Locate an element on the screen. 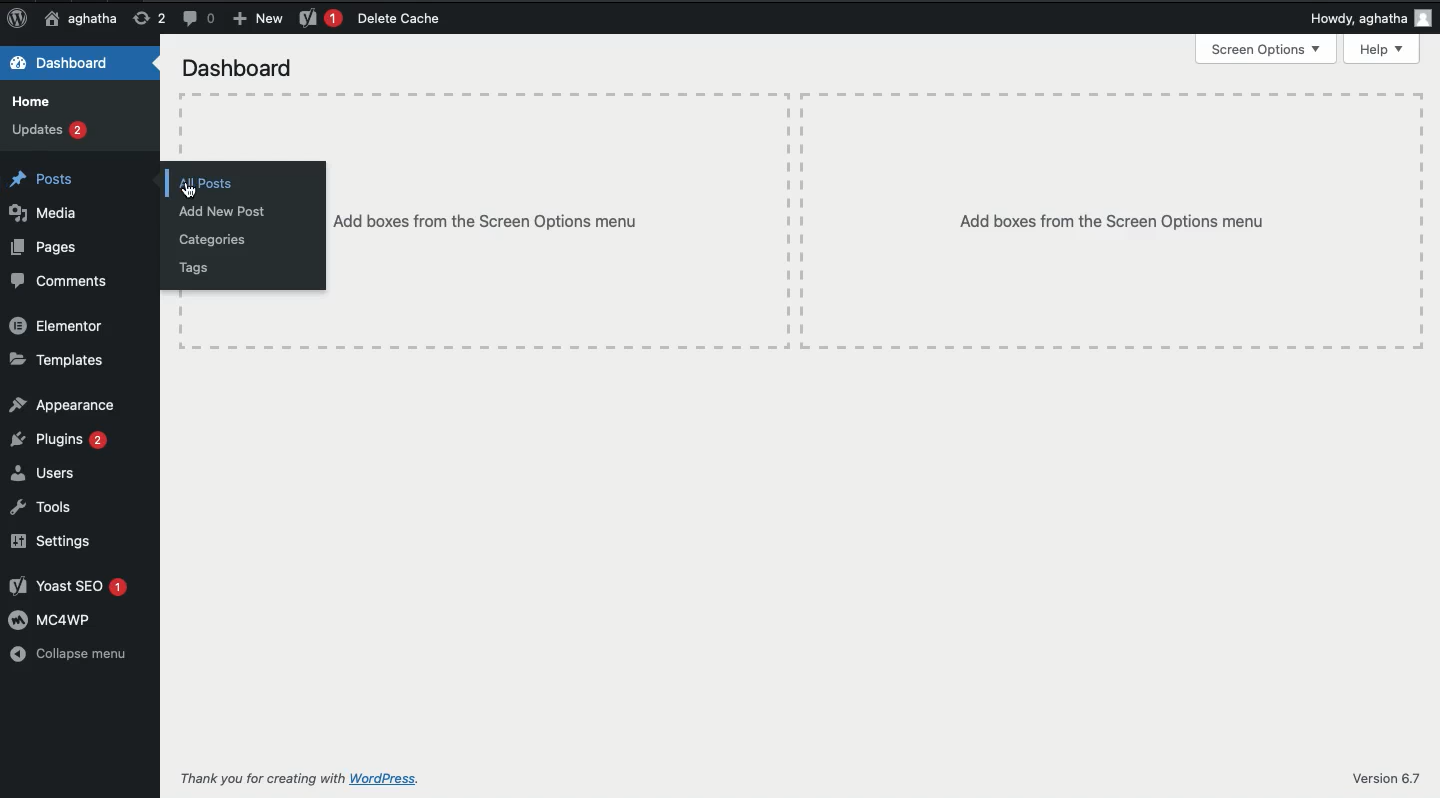  Plugins 2 is located at coordinates (60, 439).